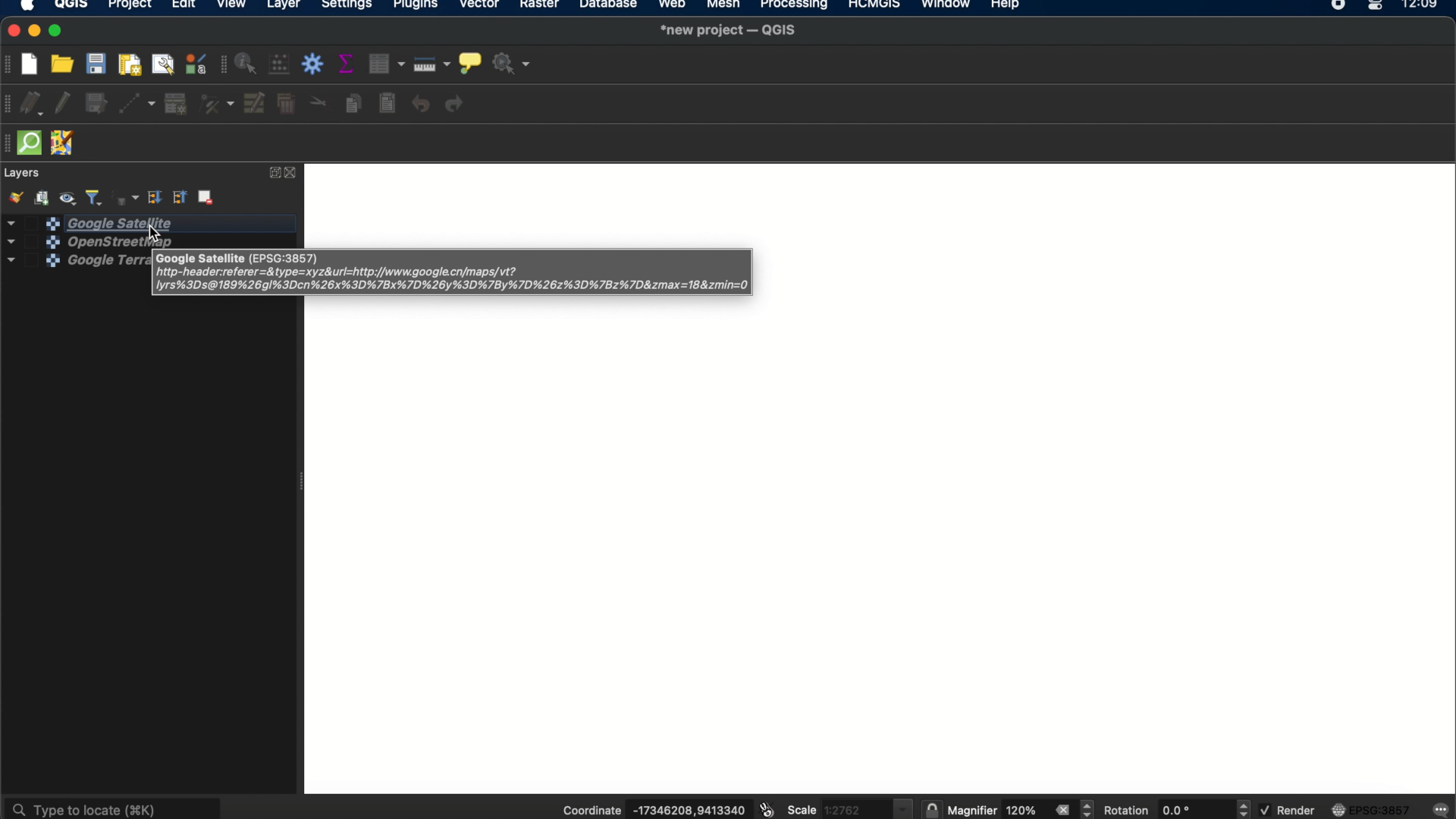 Image resolution: width=1456 pixels, height=819 pixels. Describe the element at coordinates (347, 6) in the screenshot. I see `settings` at that location.